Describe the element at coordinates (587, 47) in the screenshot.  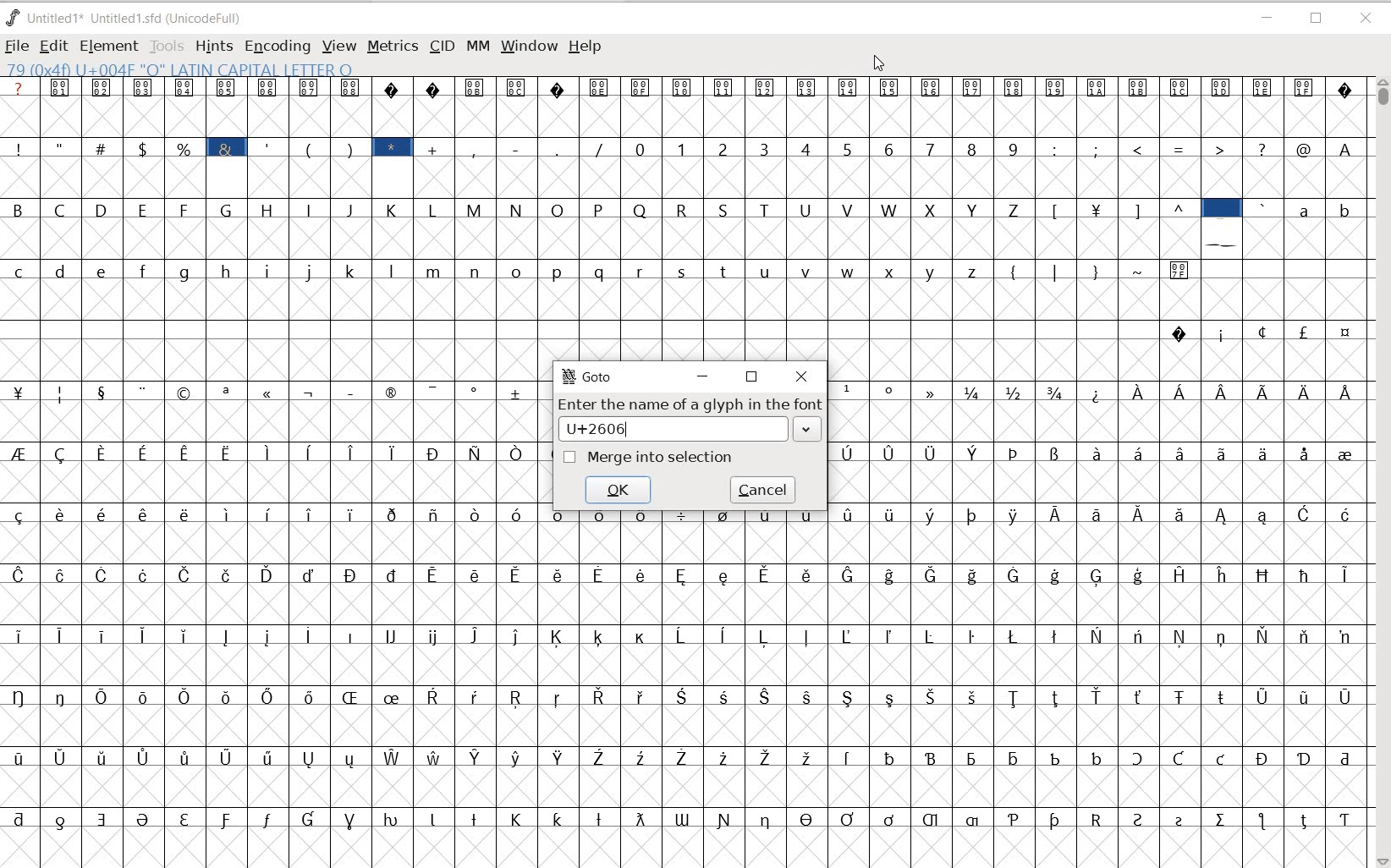
I see `HELP` at that location.